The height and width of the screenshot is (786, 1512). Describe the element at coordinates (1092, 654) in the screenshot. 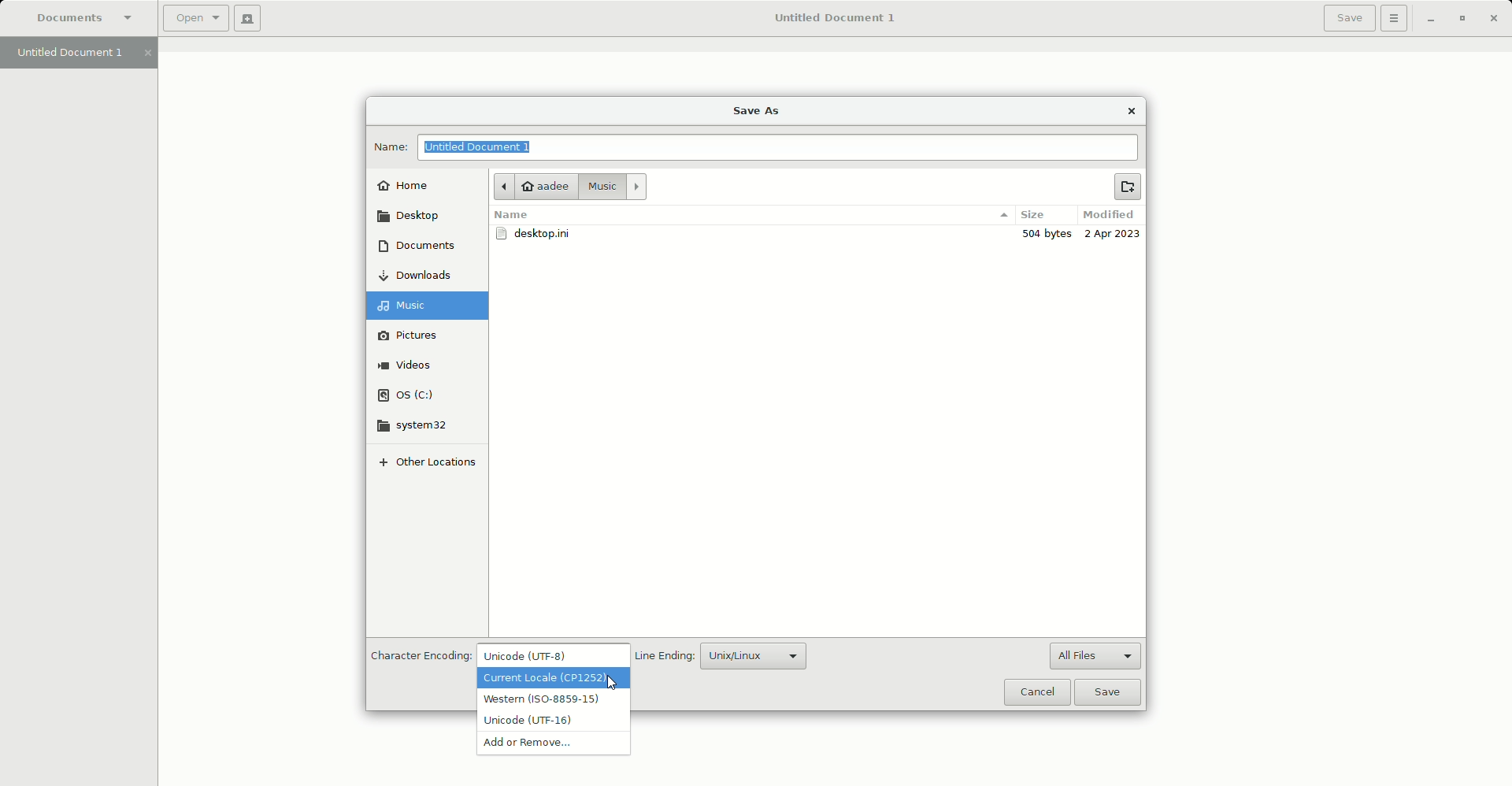

I see `All files` at that location.